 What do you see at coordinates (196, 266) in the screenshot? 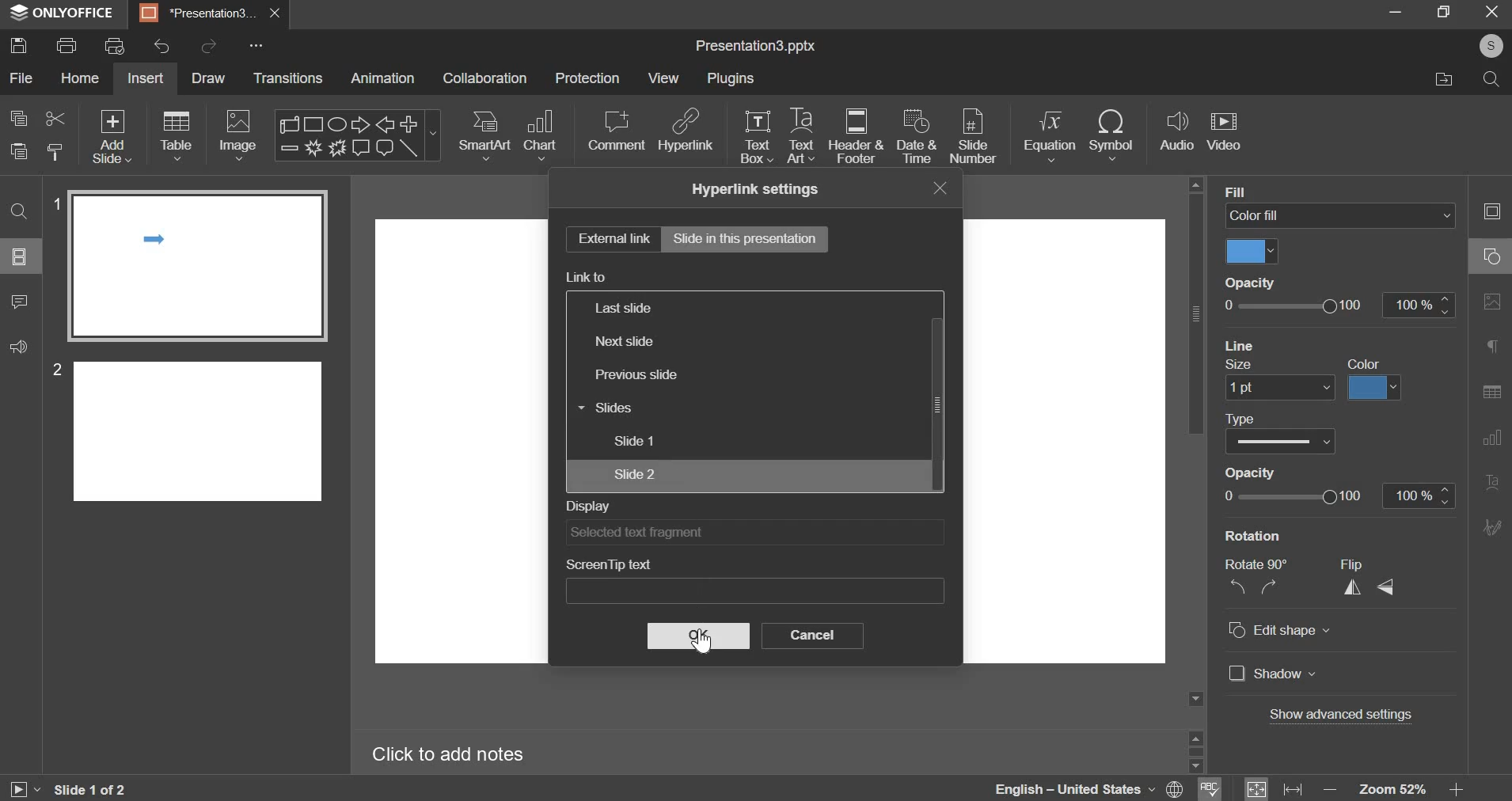
I see `slide 1 preview` at bounding box center [196, 266].